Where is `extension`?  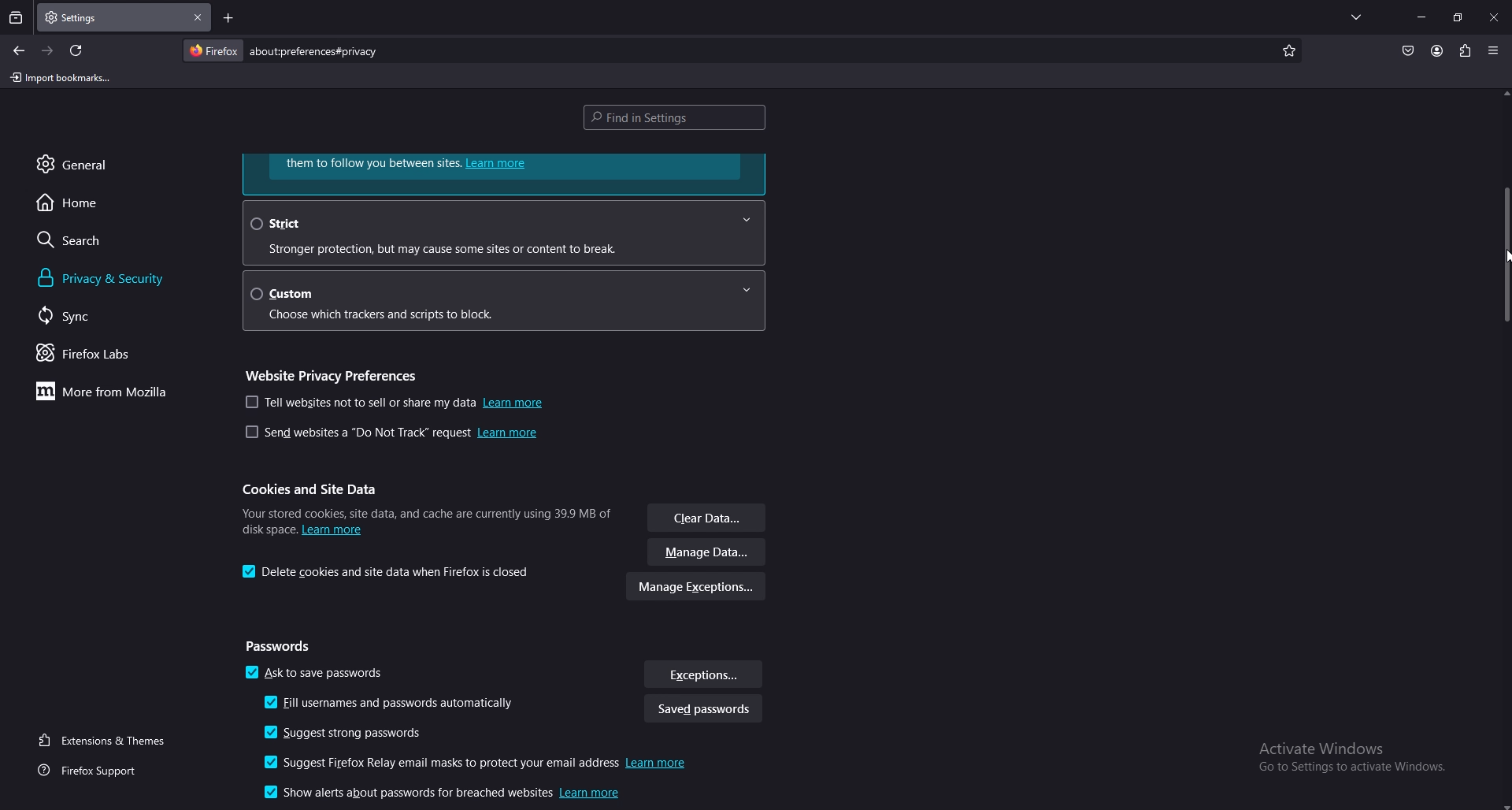 extension is located at coordinates (1464, 50).